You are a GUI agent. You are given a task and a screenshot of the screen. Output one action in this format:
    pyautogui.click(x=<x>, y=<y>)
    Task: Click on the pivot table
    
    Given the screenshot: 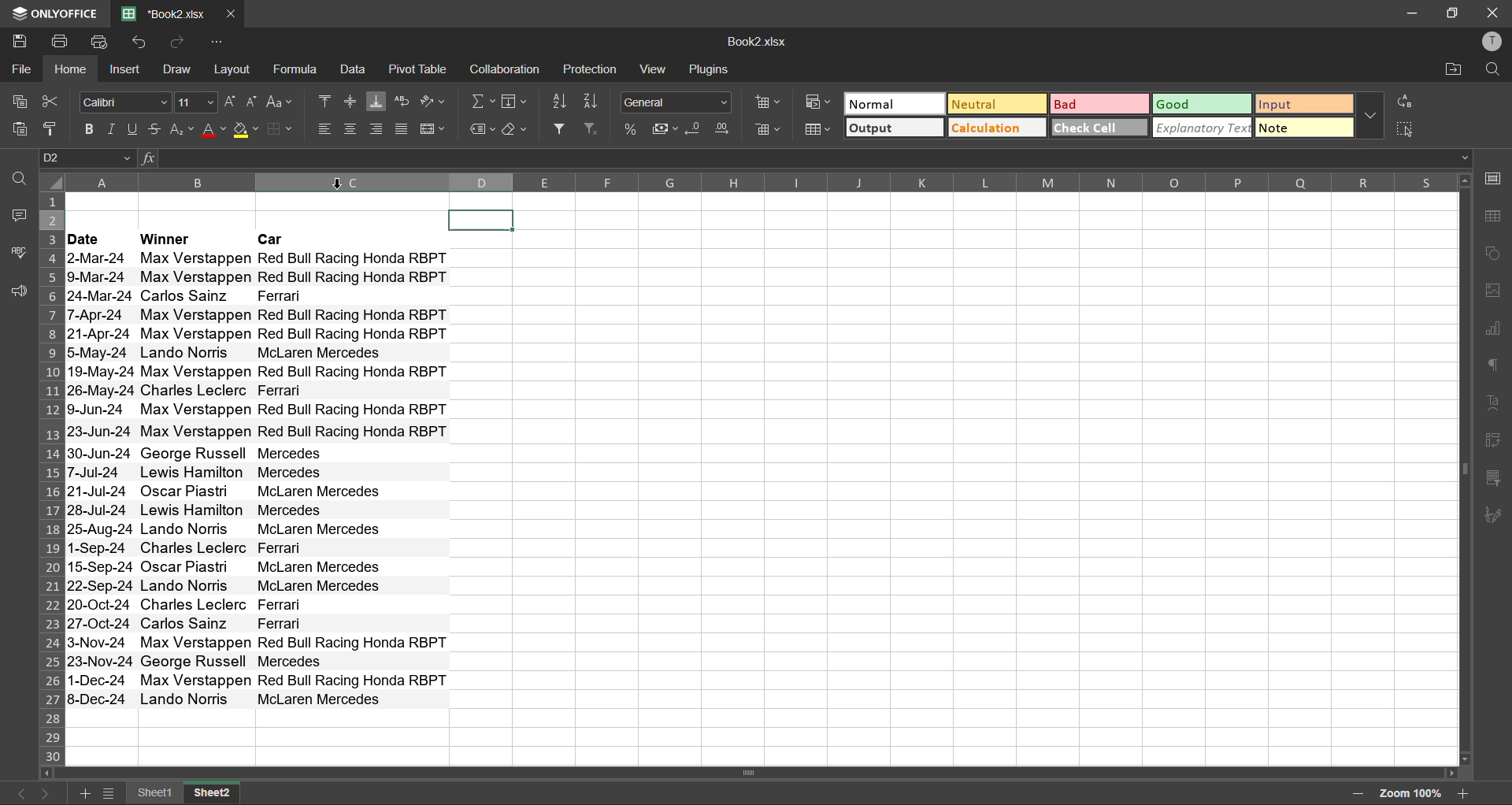 What is the action you would take?
    pyautogui.click(x=1492, y=443)
    